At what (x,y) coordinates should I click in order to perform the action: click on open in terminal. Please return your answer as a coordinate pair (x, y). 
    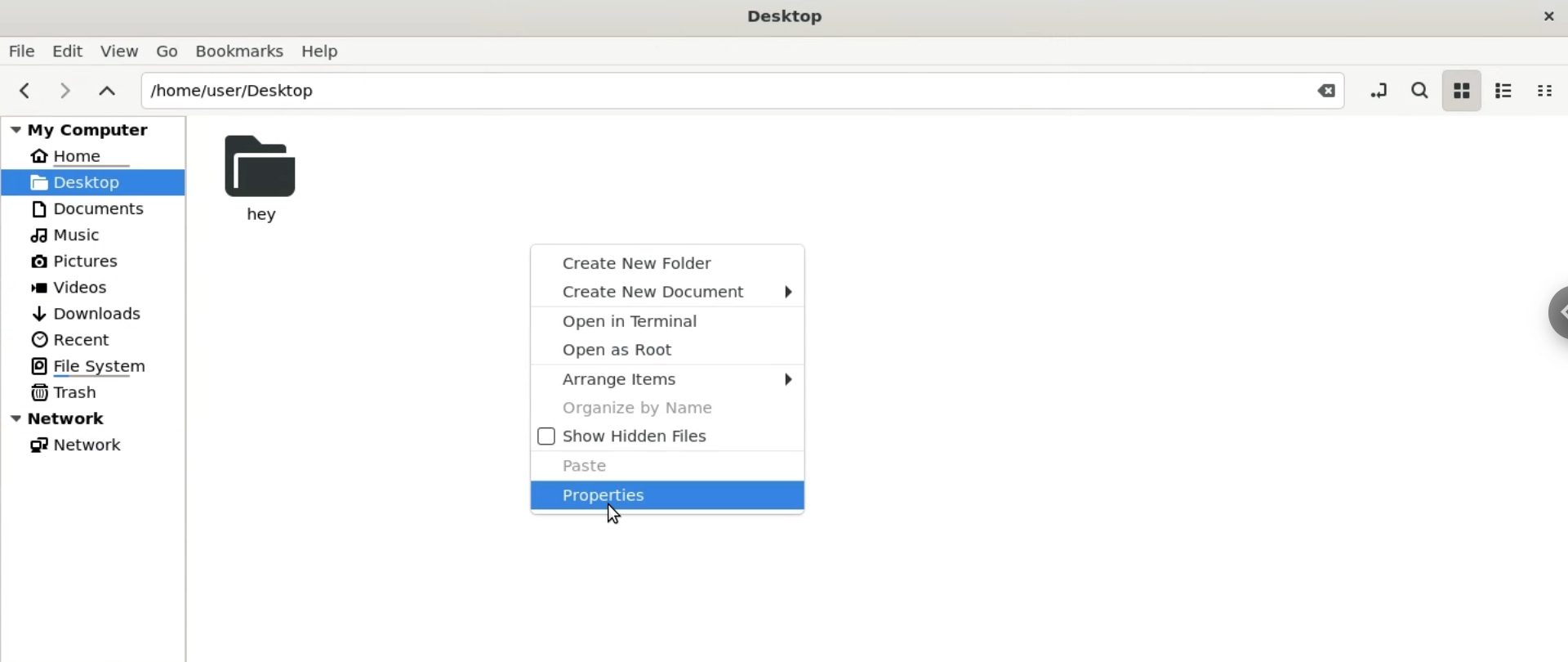
    Looking at the image, I should click on (669, 320).